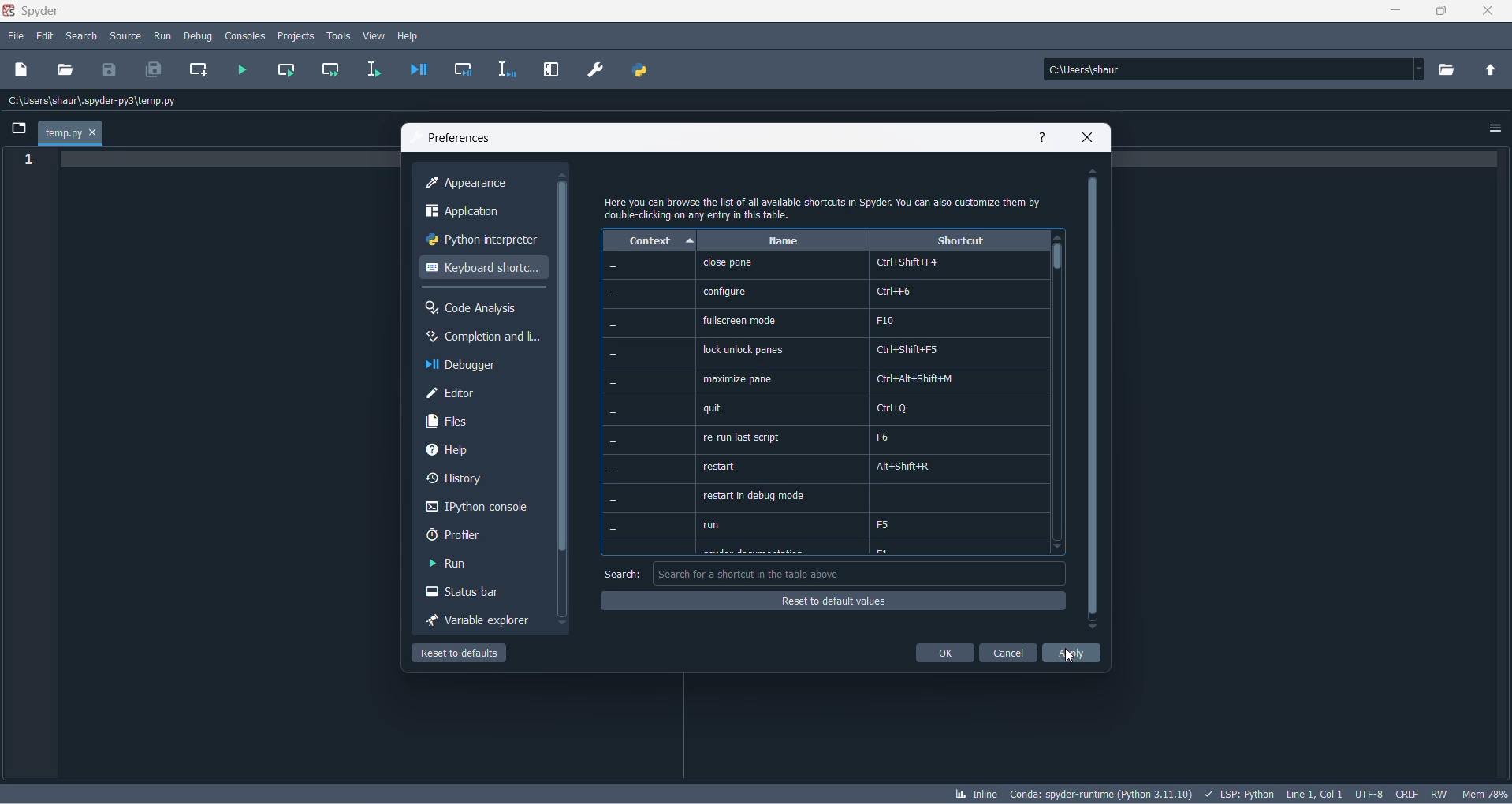 This screenshot has height=804, width=1512. I want to click on save all, so click(151, 71).